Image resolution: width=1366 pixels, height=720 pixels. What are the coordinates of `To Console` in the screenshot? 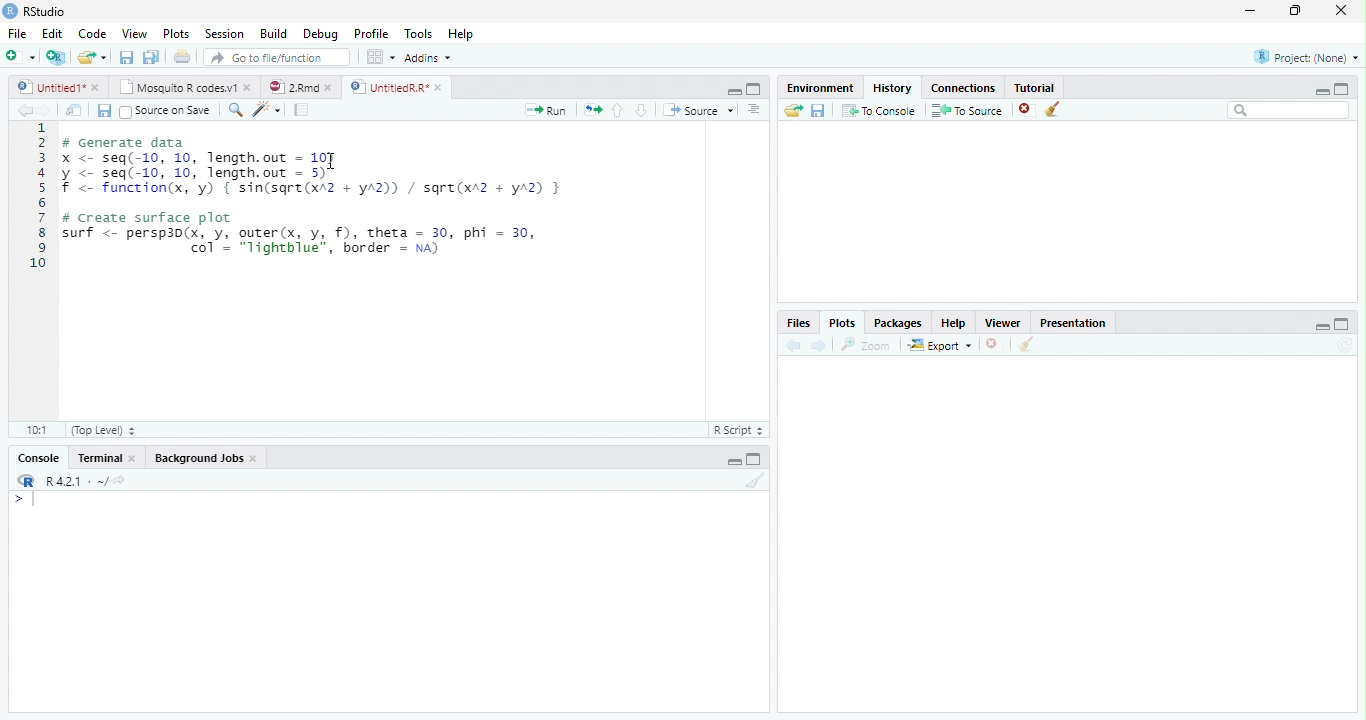 It's located at (879, 110).